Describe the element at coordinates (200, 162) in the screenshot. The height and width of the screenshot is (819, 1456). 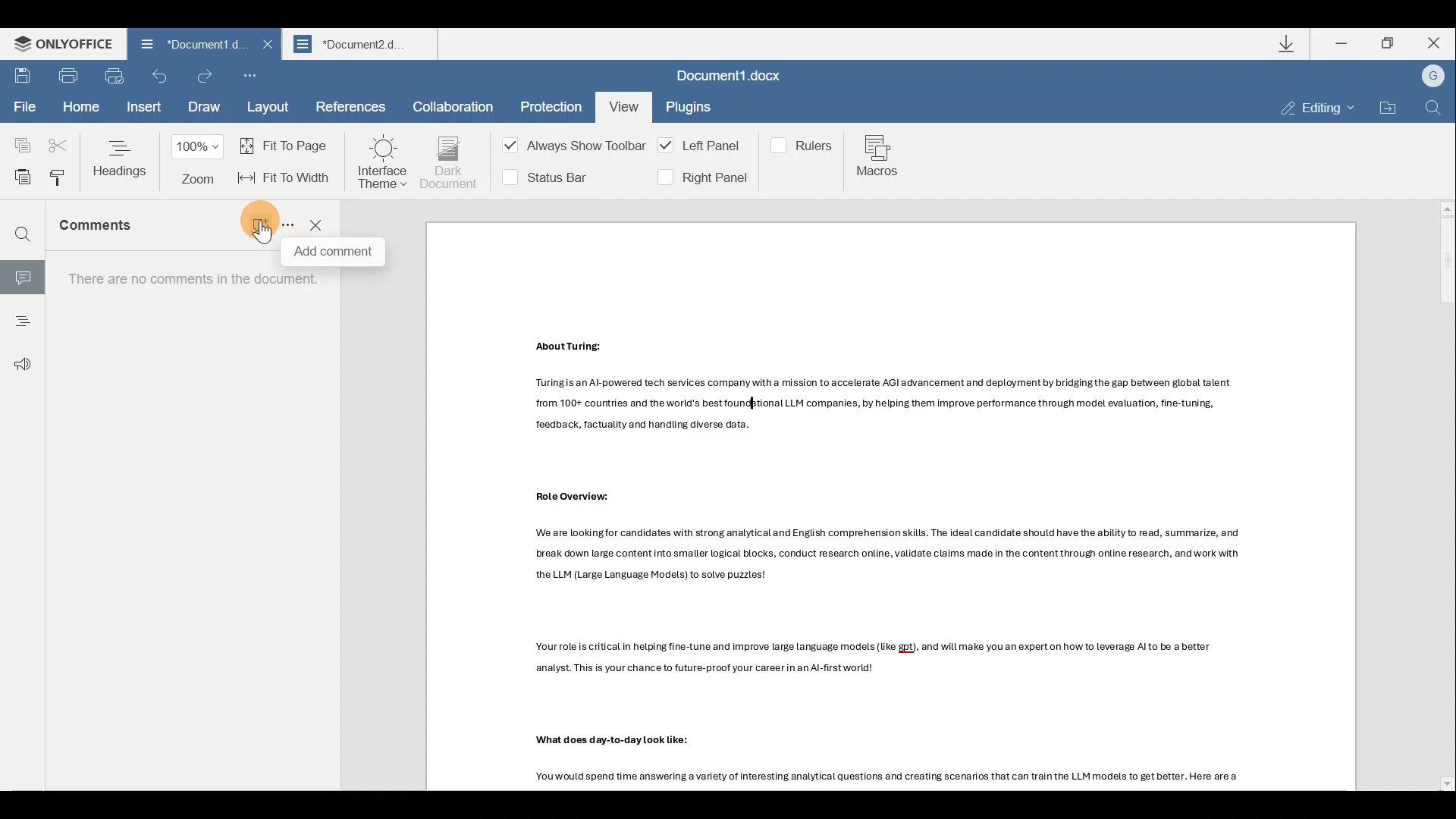
I see `Zoom` at that location.